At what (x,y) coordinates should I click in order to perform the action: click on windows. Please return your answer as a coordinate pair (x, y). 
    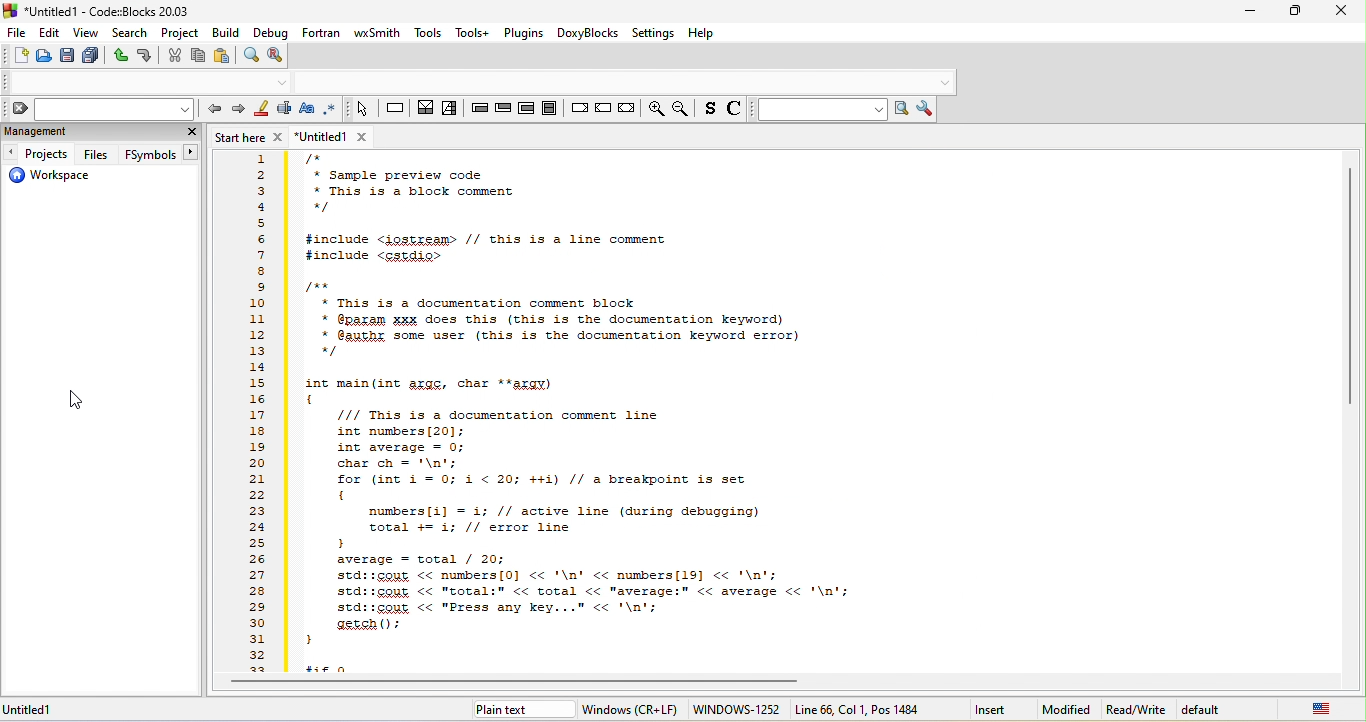
    Looking at the image, I should click on (628, 710).